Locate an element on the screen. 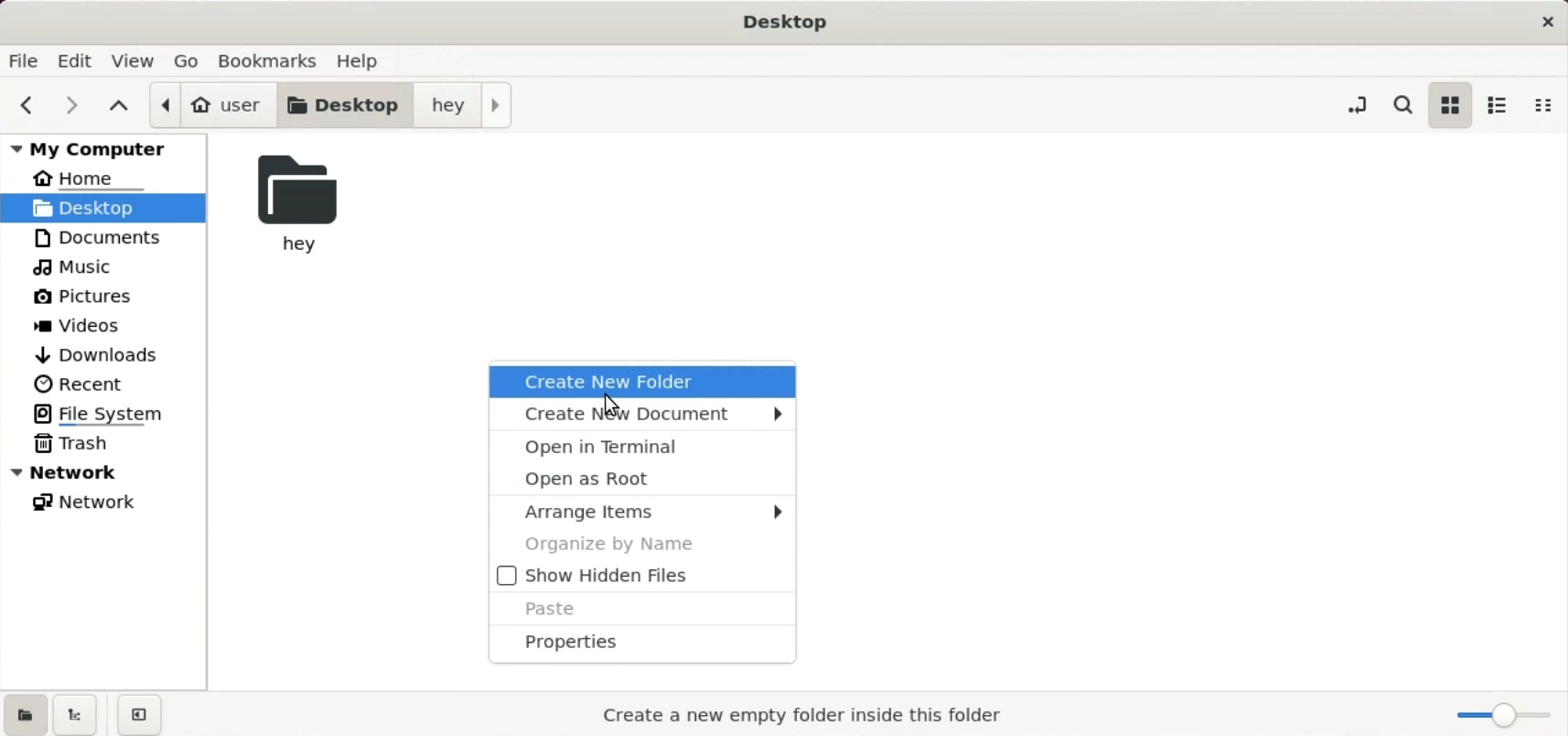  show hidden files is located at coordinates (644, 577).